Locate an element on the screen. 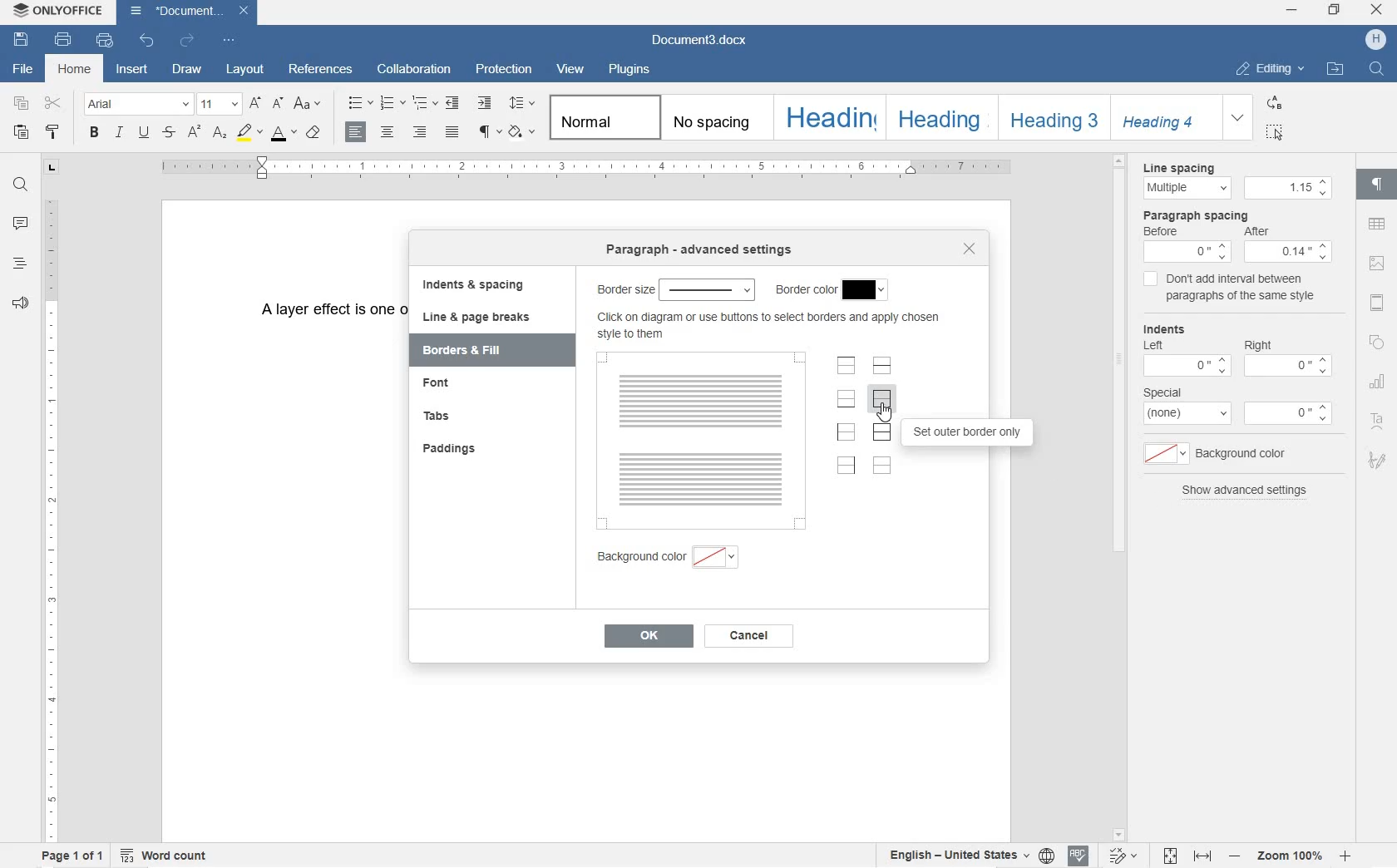  MINIMIZE is located at coordinates (1291, 11).